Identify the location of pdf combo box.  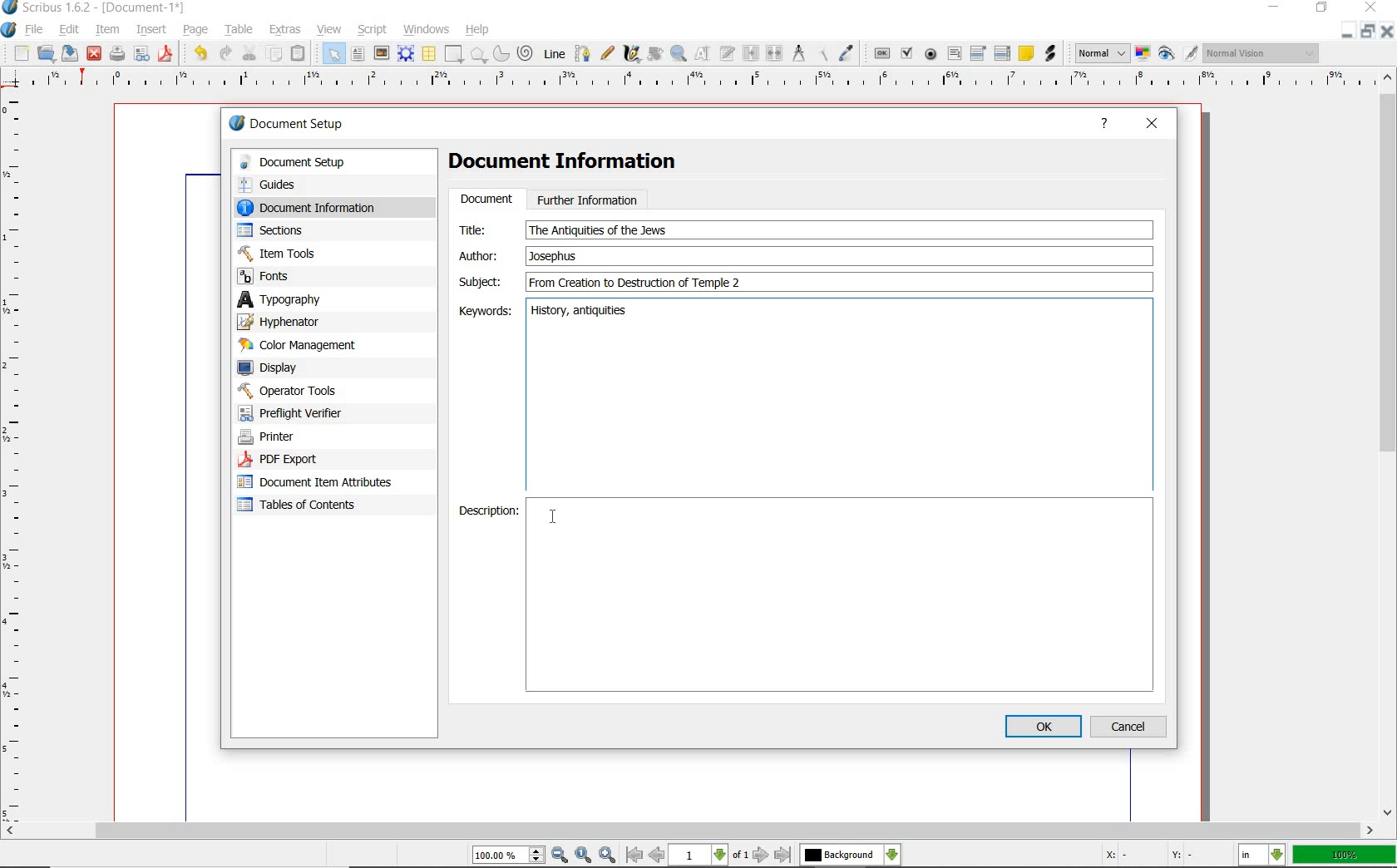
(979, 54).